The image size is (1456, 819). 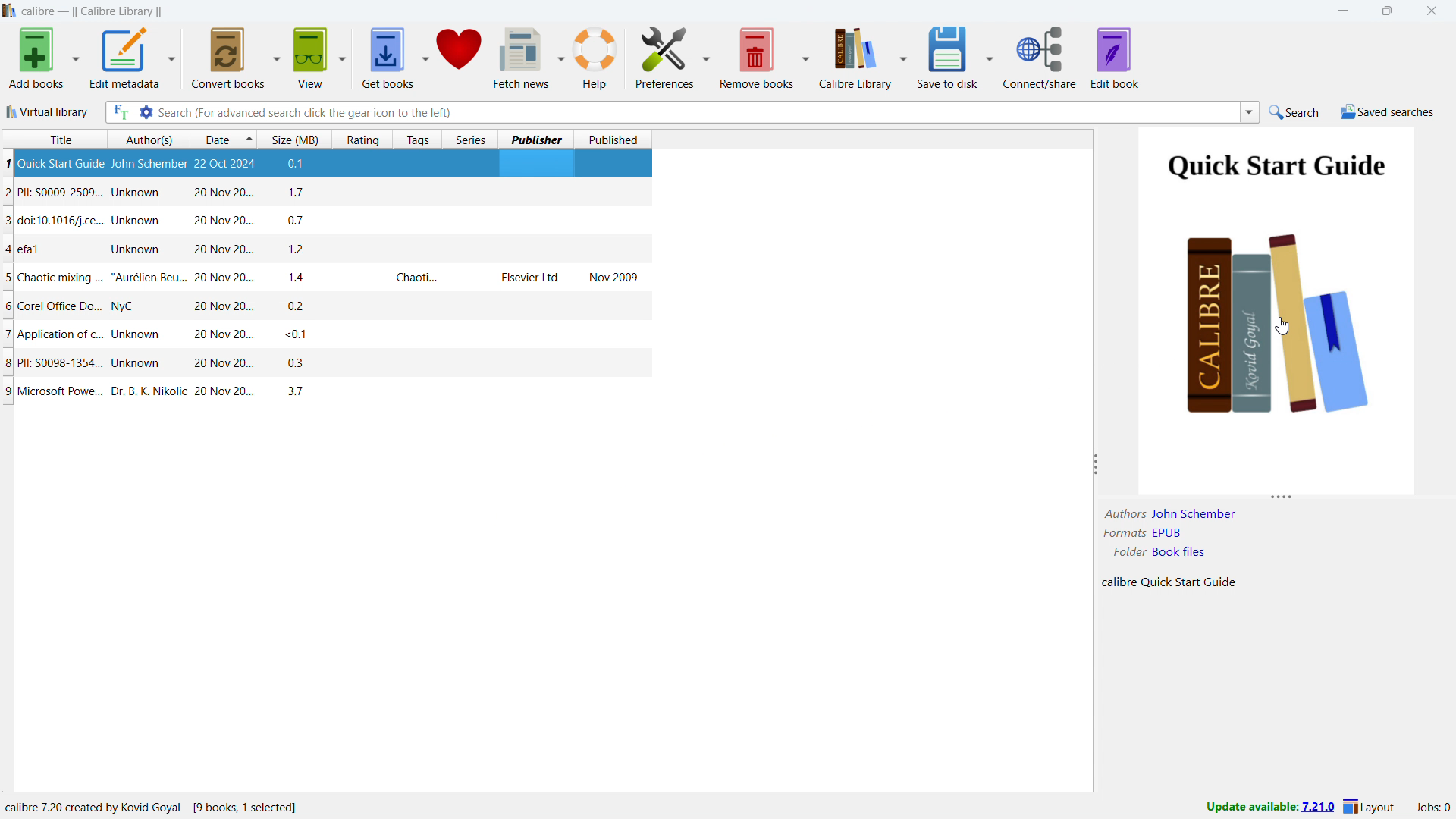 What do you see at coordinates (227, 57) in the screenshot?
I see `convert books` at bounding box center [227, 57].